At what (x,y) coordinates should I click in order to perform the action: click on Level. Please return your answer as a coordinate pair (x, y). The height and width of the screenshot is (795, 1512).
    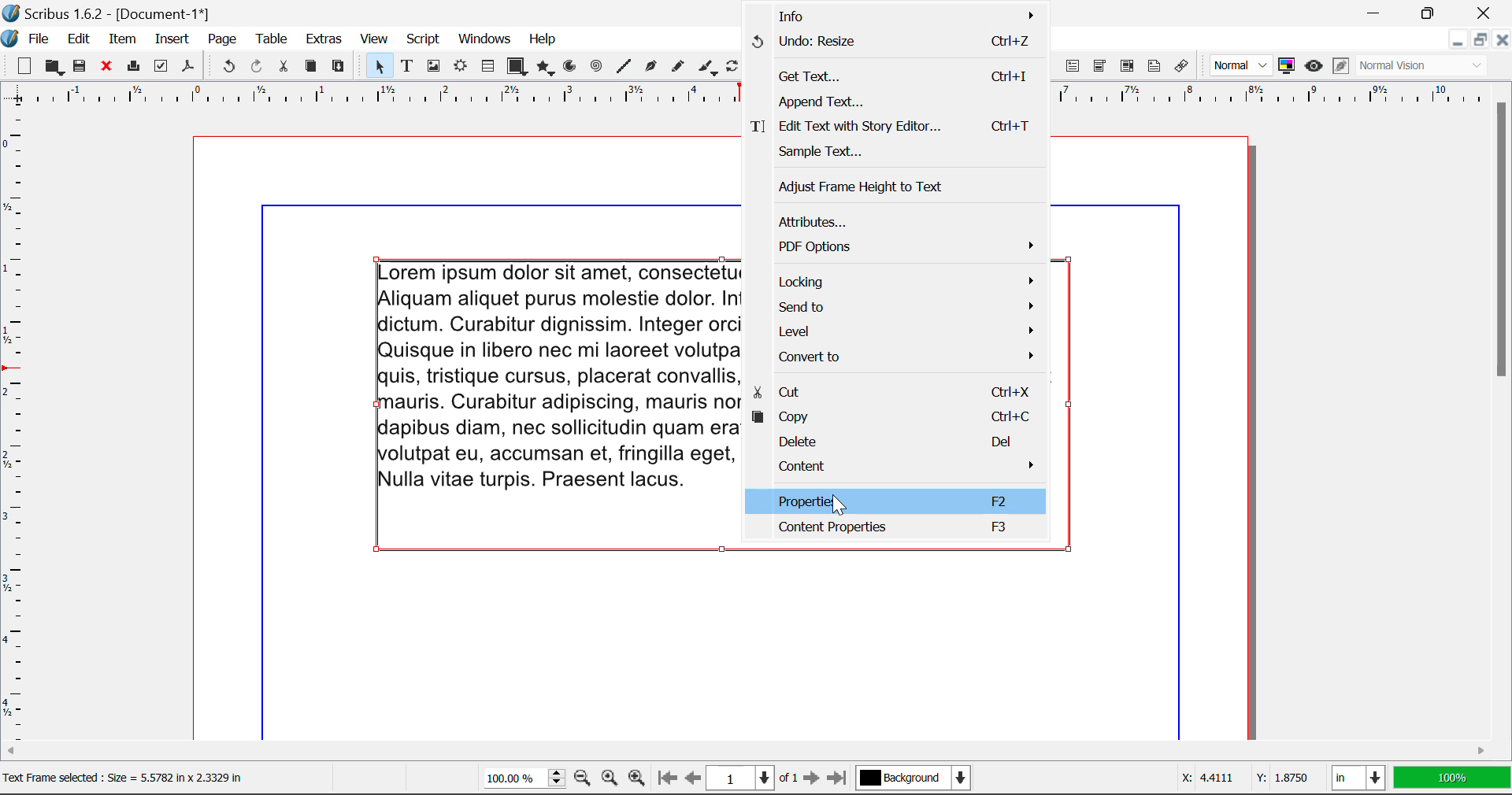
    Looking at the image, I should click on (897, 332).